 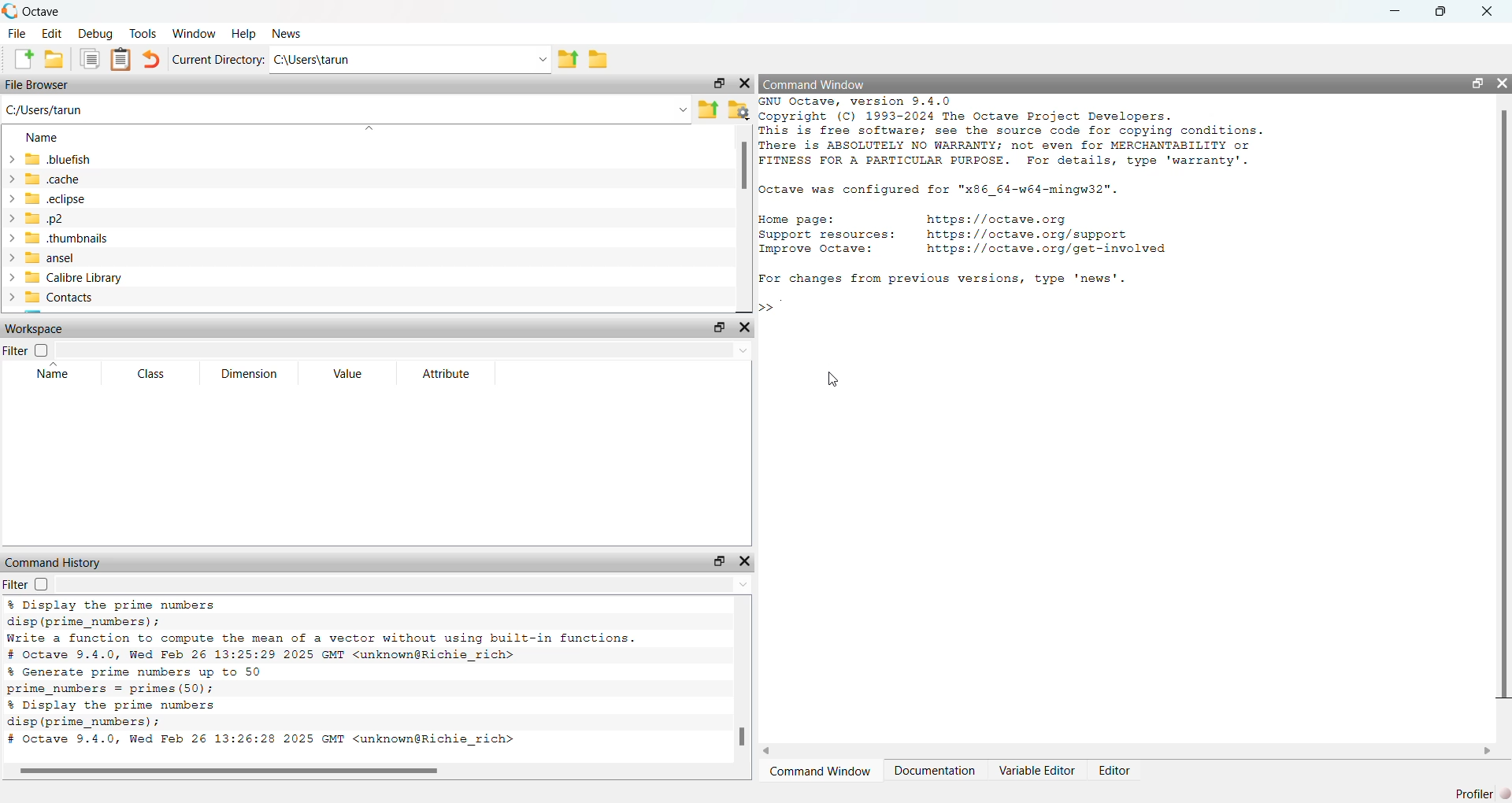 What do you see at coordinates (230, 772) in the screenshot?
I see `scroll bar` at bounding box center [230, 772].